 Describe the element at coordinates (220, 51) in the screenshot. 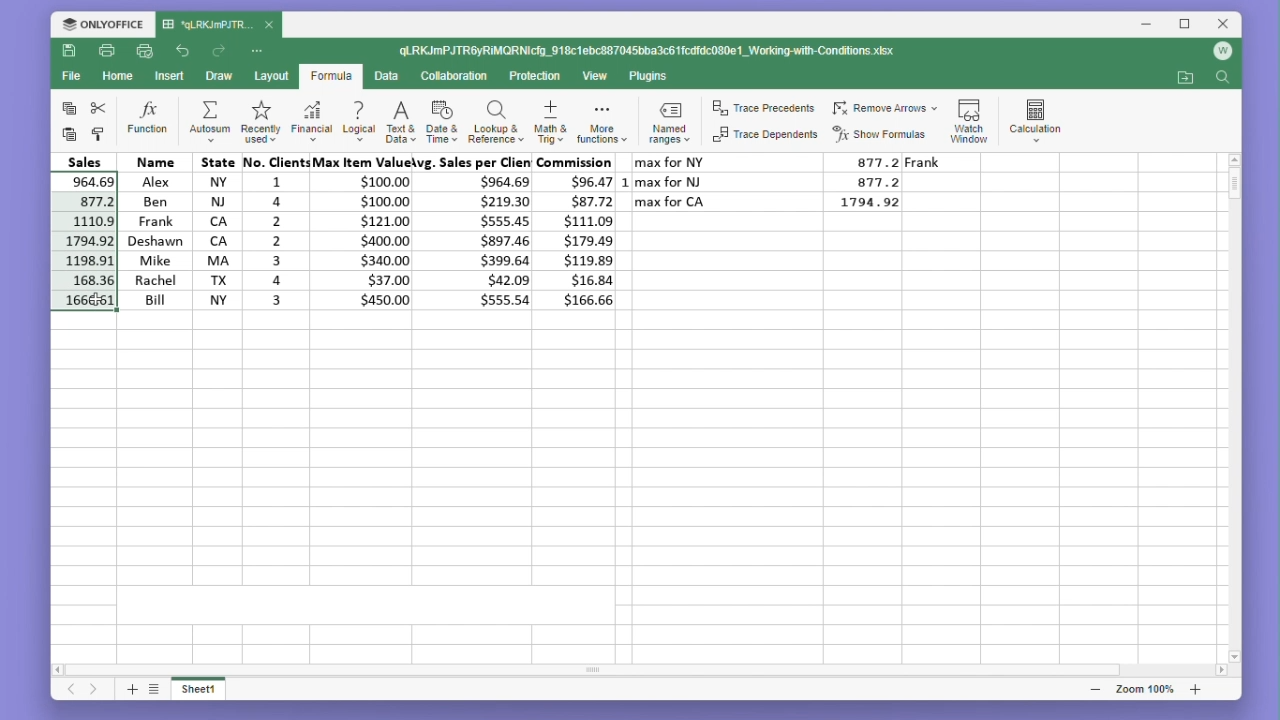

I see `Redo` at that location.